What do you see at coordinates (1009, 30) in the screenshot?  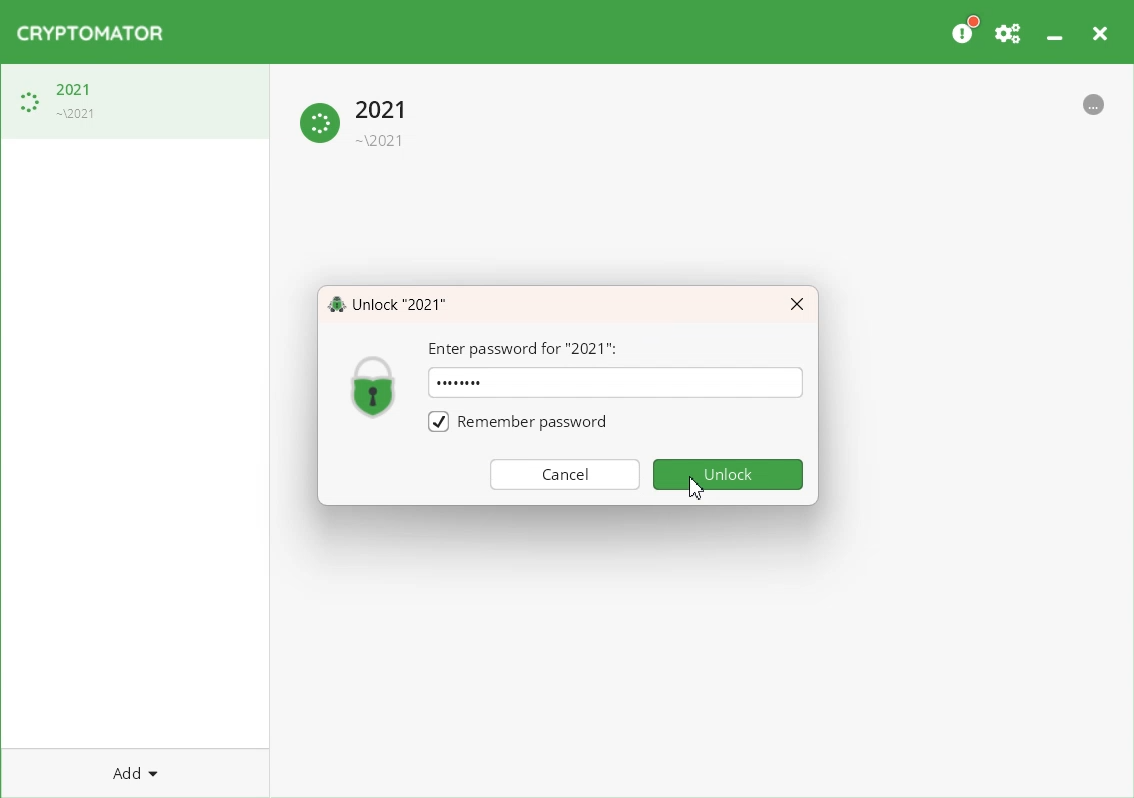 I see `Preferences` at bounding box center [1009, 30].